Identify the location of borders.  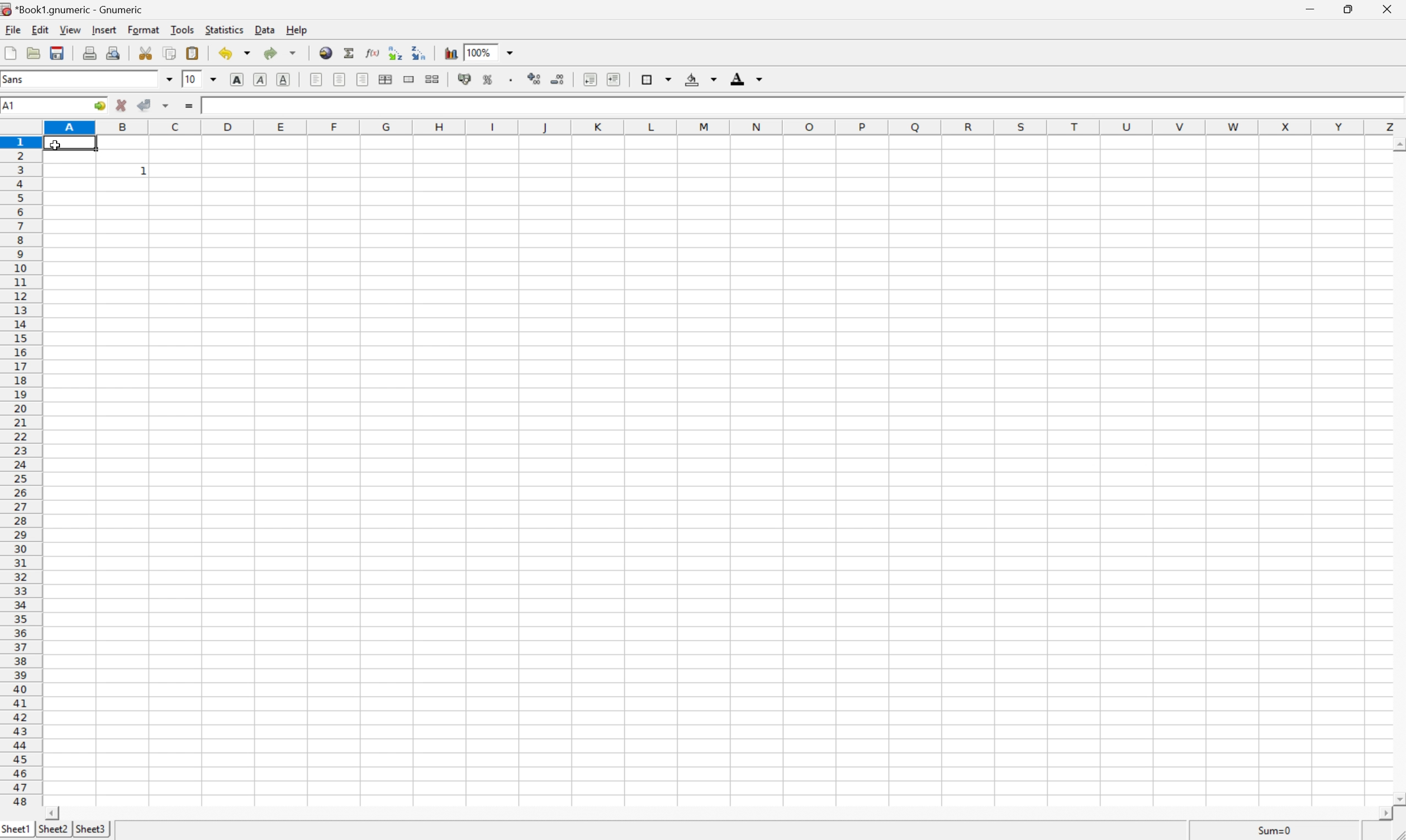
(655, 80).